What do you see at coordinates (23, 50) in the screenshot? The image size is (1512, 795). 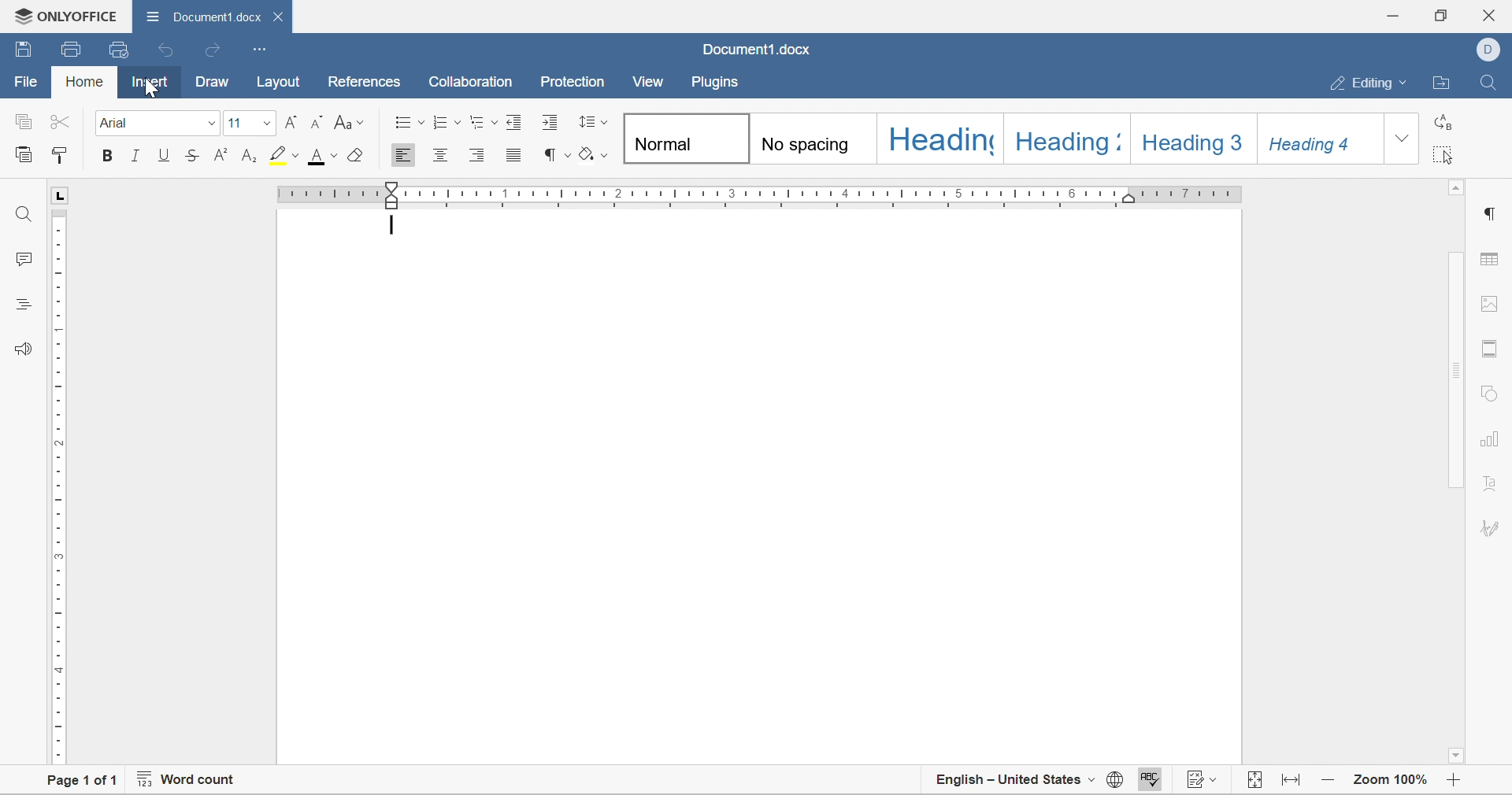 I see `Save` at bounding box center [23, 50].